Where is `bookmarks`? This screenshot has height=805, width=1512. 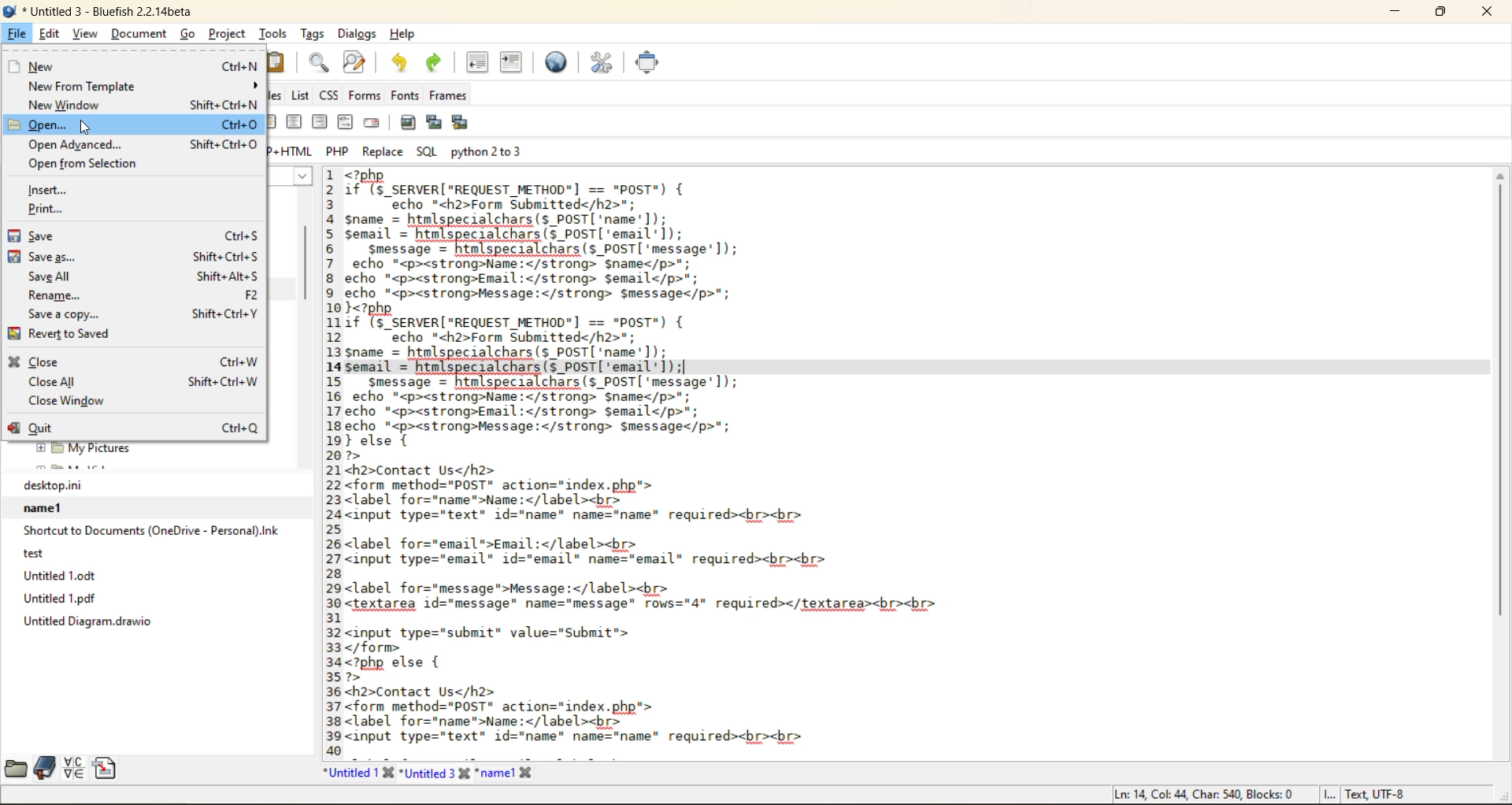 bookmarks is located at coordinates (43, 768).